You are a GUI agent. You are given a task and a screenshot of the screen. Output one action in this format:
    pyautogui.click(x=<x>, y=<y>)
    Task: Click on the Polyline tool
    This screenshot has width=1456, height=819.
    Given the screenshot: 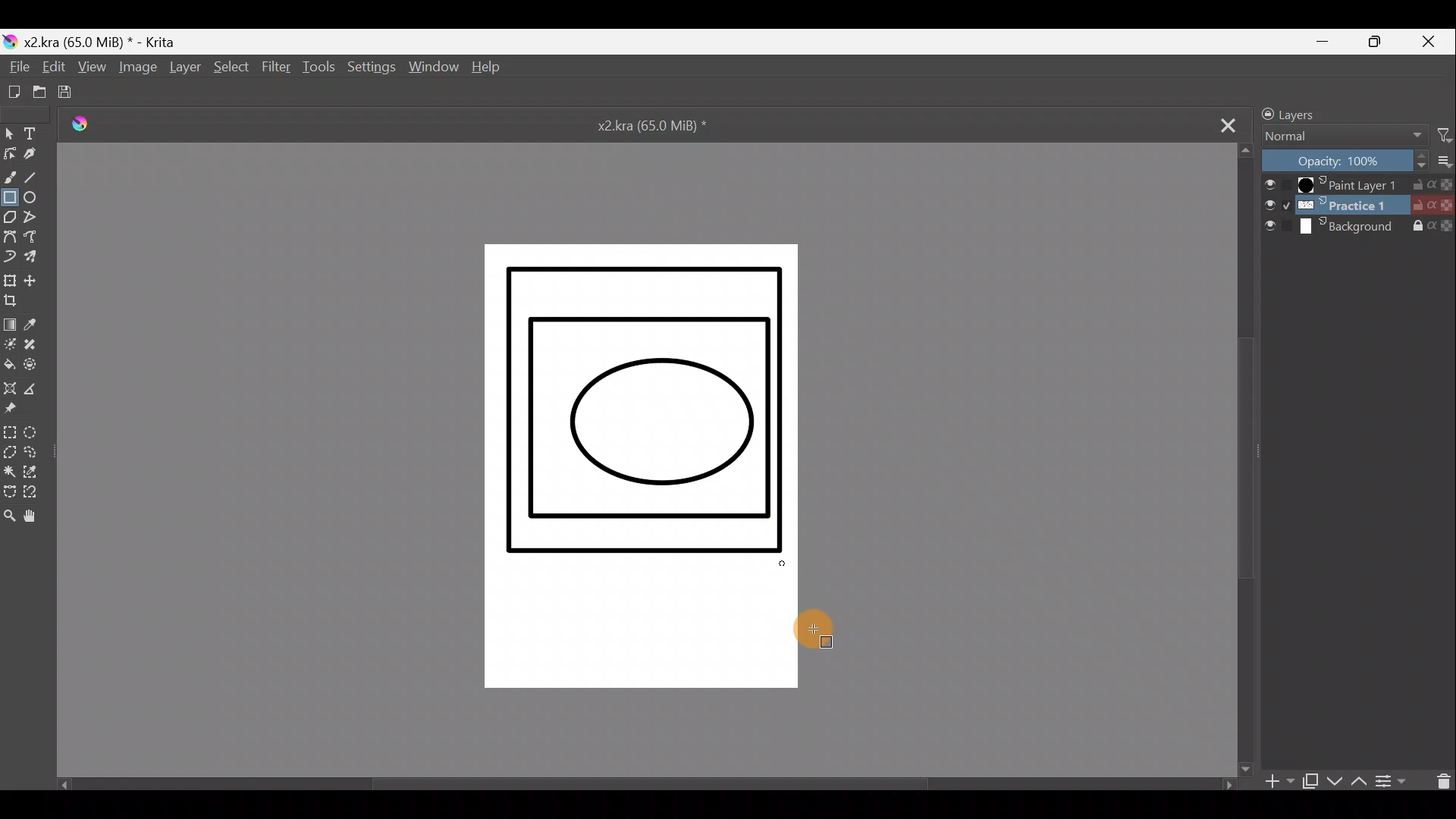 What is the action you would take?
    pyautogui.click(x=35, y=220)
    